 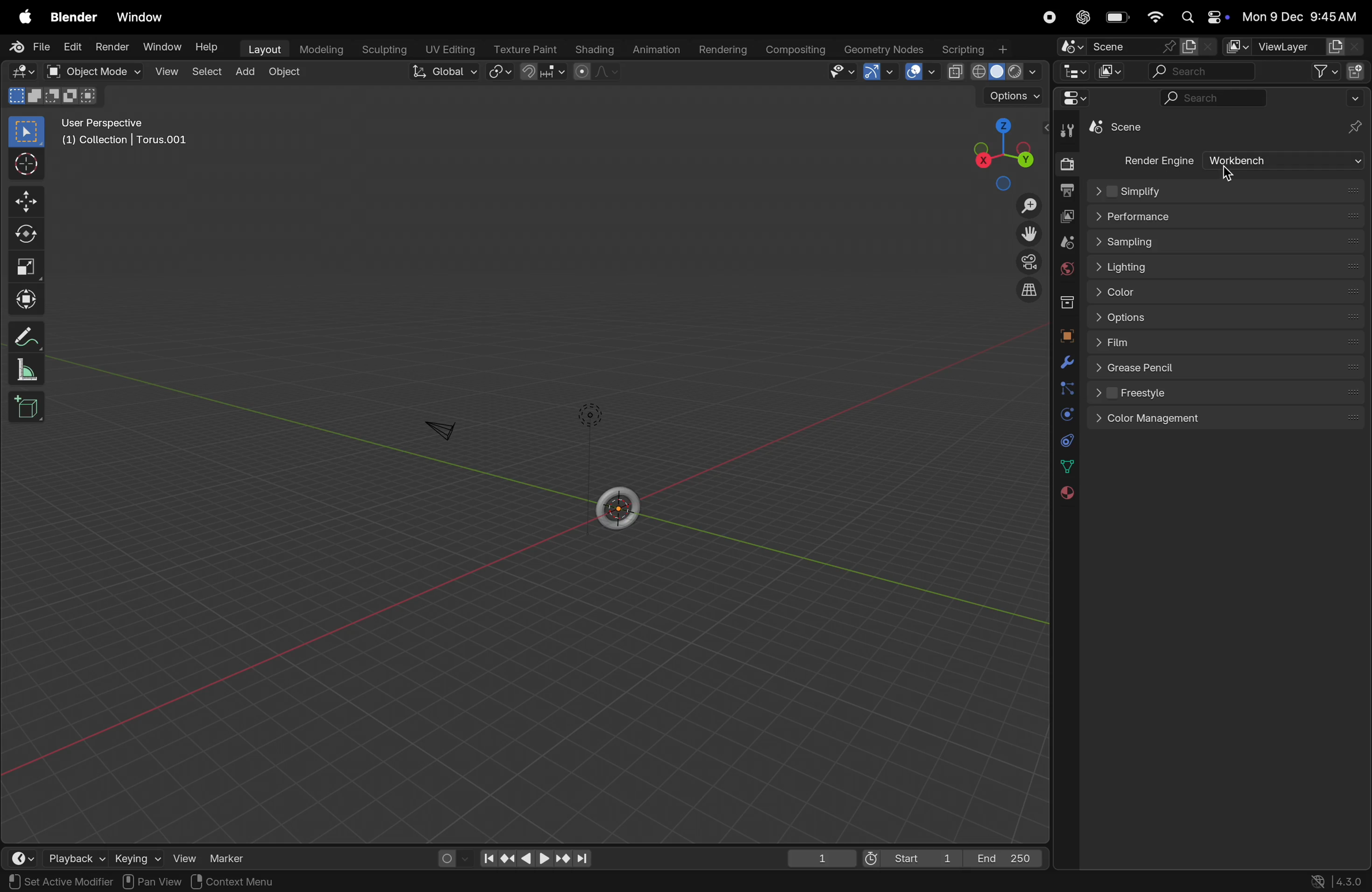 What do you see at coordinates (1064, 240) in the screenshot?
I see `scene` at bounding box center [1064, 240].